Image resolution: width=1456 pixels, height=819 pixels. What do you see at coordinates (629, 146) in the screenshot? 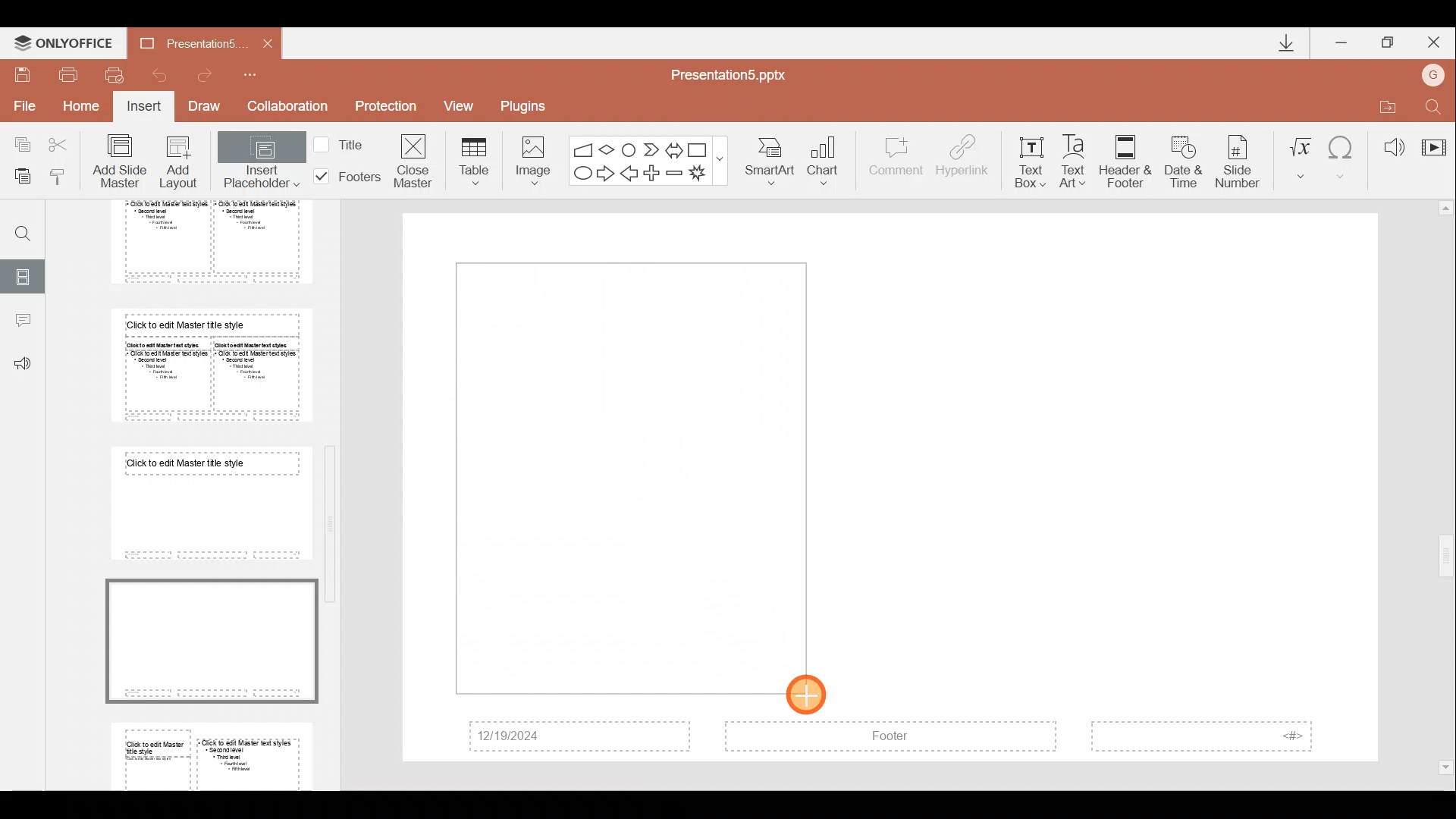
I see `Flowchart-connector` at bounding box center [629, 146].